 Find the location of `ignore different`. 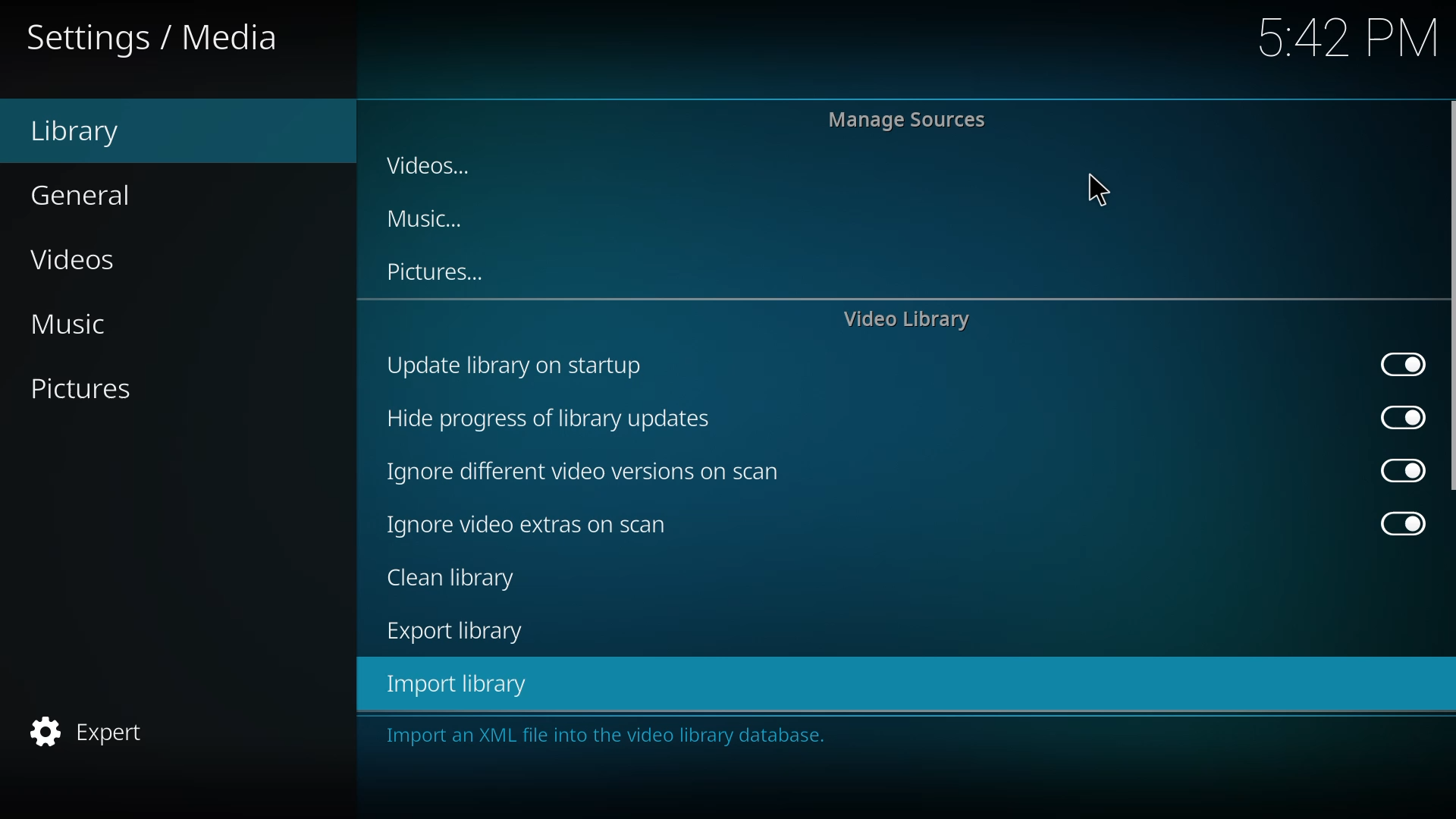

ignore different is located at coordinates (587, 473).